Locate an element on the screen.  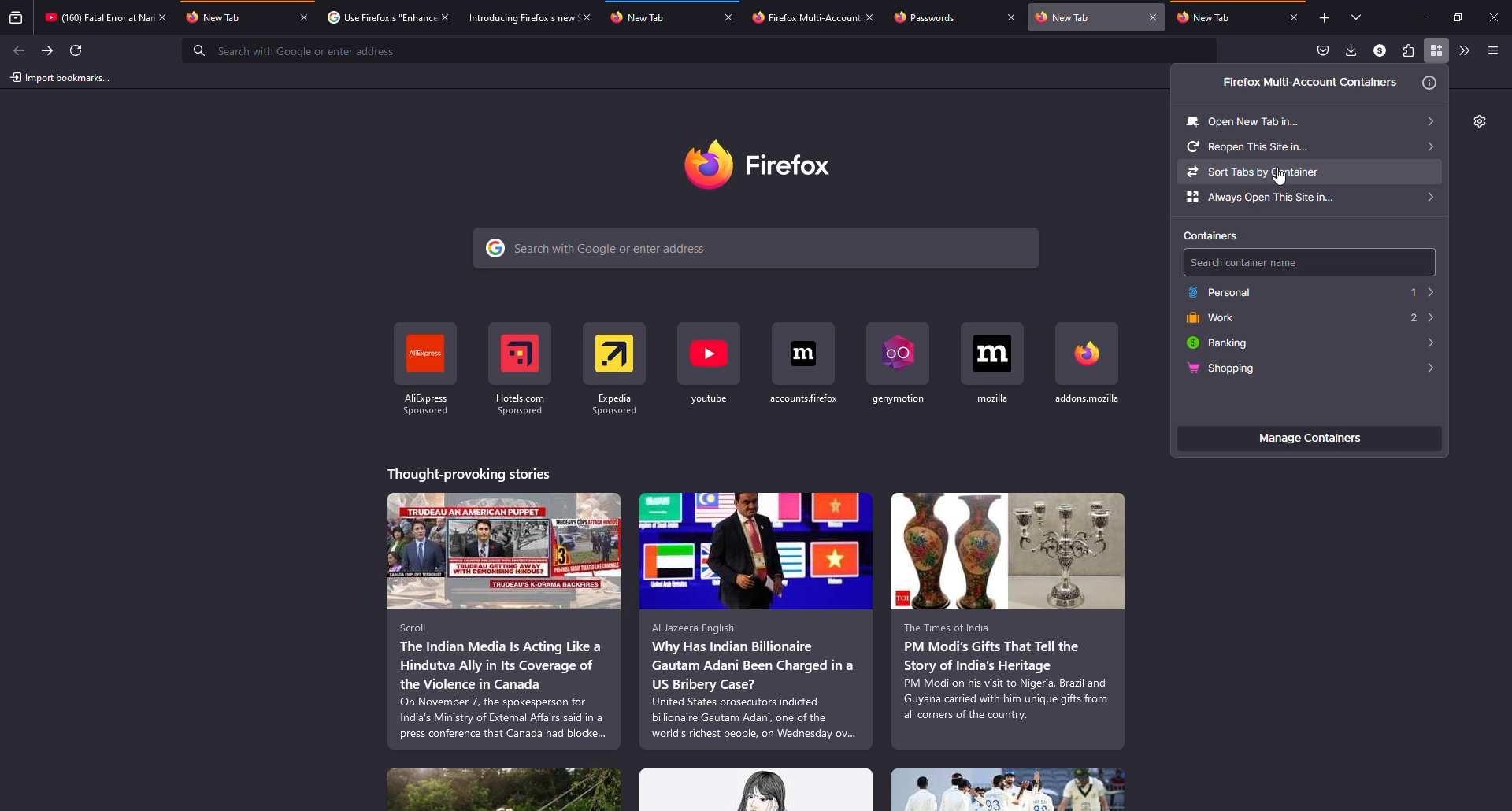
stories is located at coordinates (757, 790).